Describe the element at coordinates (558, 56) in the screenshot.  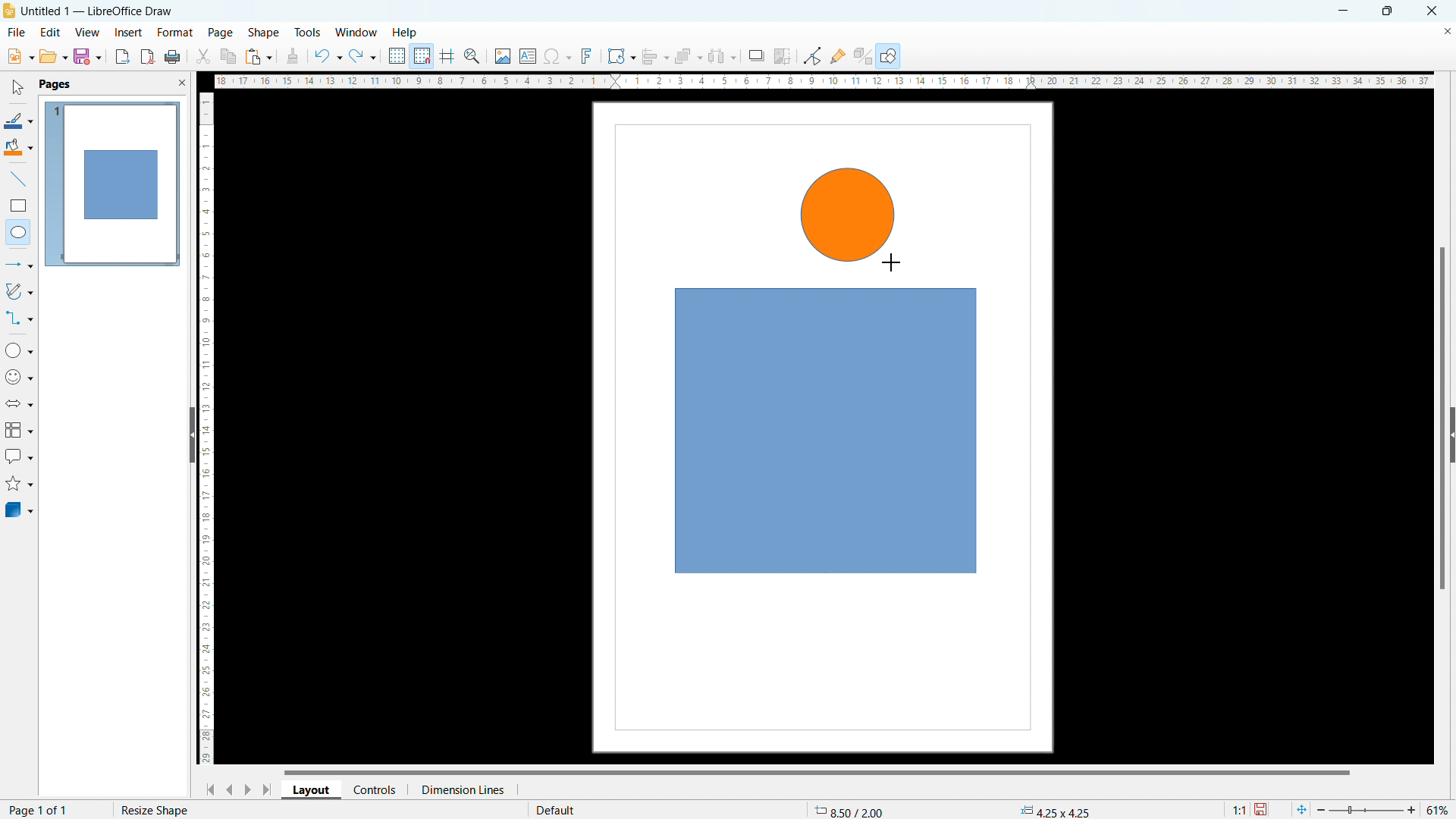
I see `insert special character` at that location.